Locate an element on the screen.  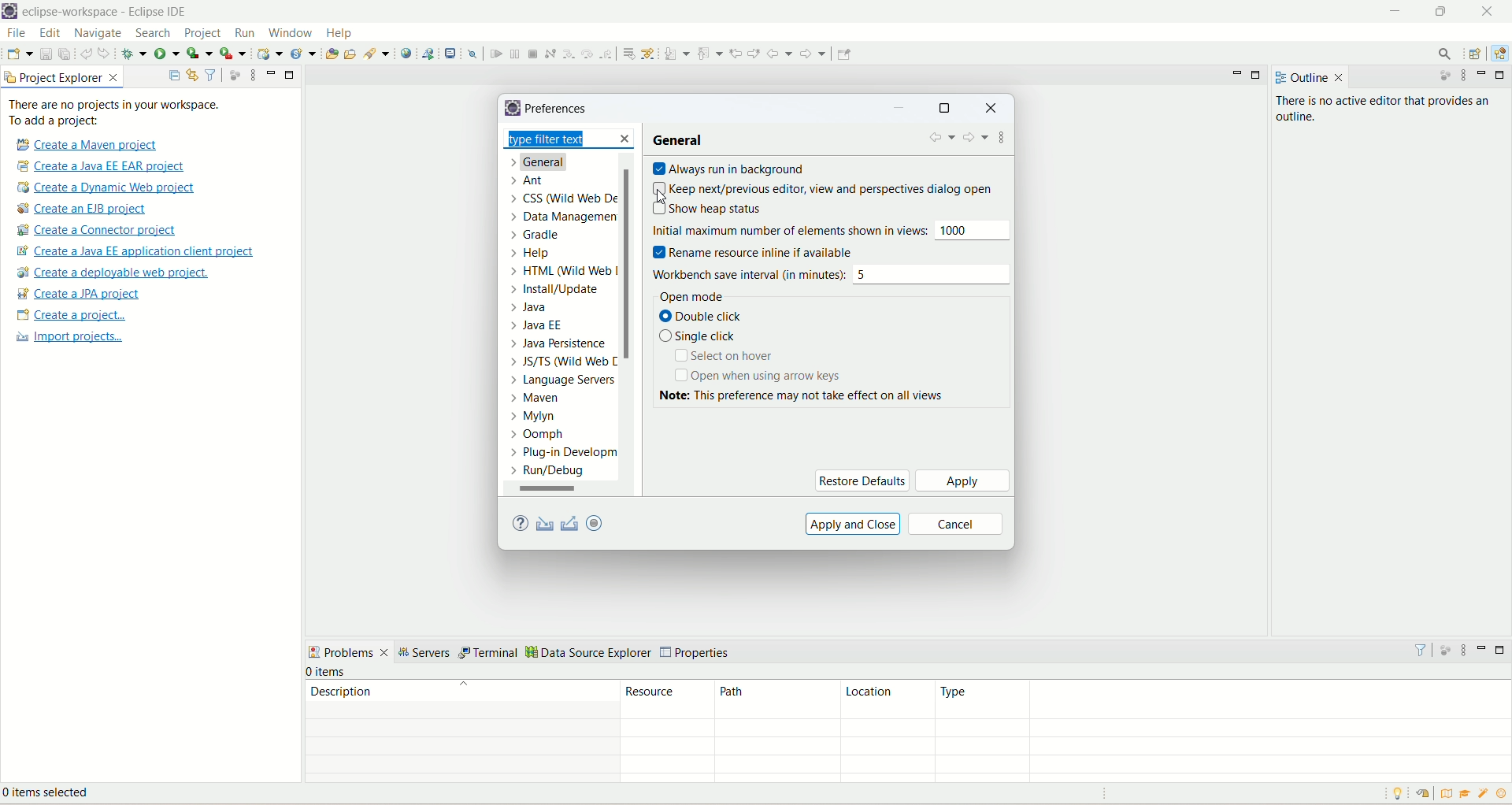
launch web service is located at coordinates (428, 53).